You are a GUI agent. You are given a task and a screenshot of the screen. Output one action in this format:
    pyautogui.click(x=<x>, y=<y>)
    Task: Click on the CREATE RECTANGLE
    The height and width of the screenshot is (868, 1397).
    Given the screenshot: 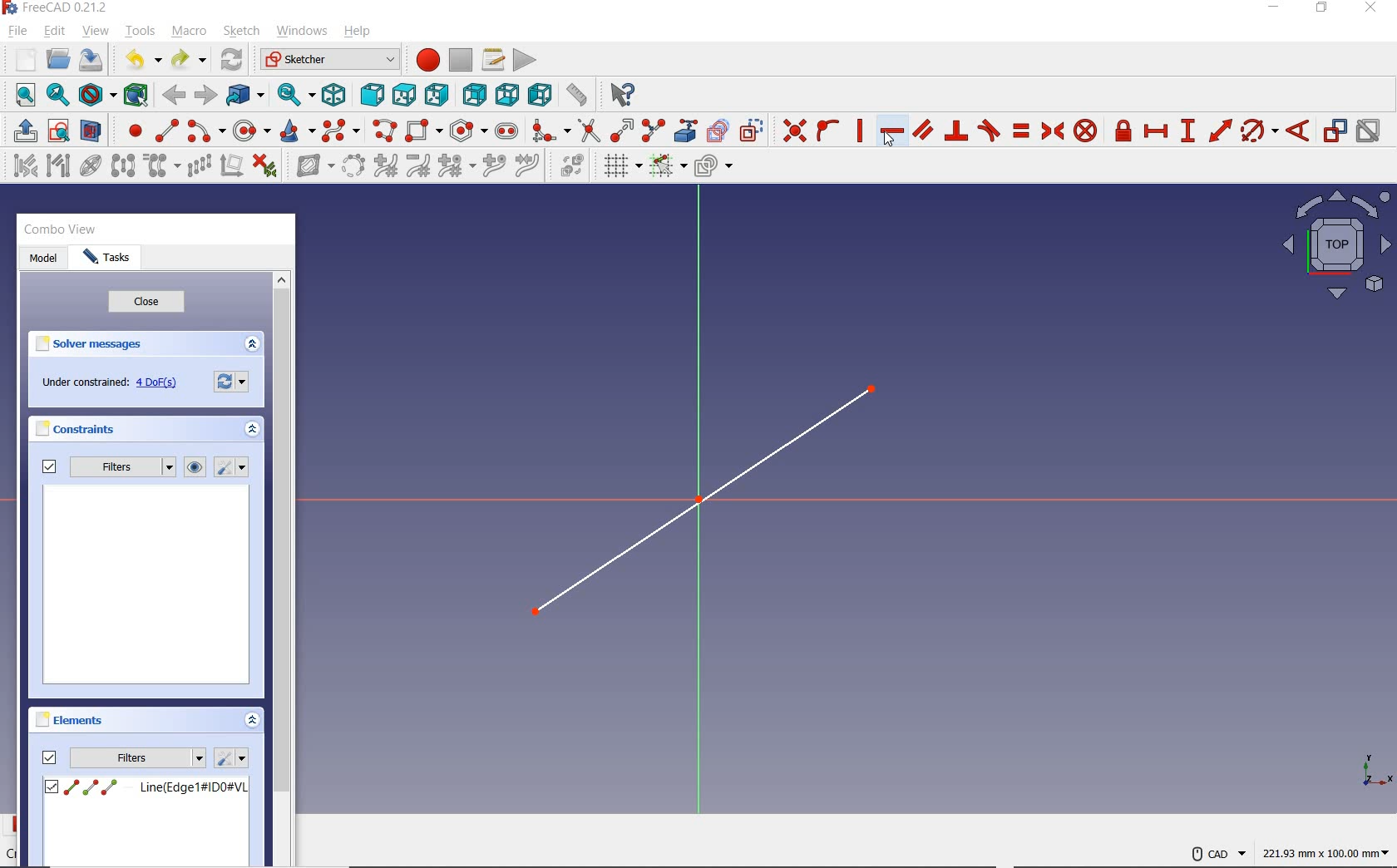 What is the action you would take?
    pyautogui.click(x=423, y=131)
    